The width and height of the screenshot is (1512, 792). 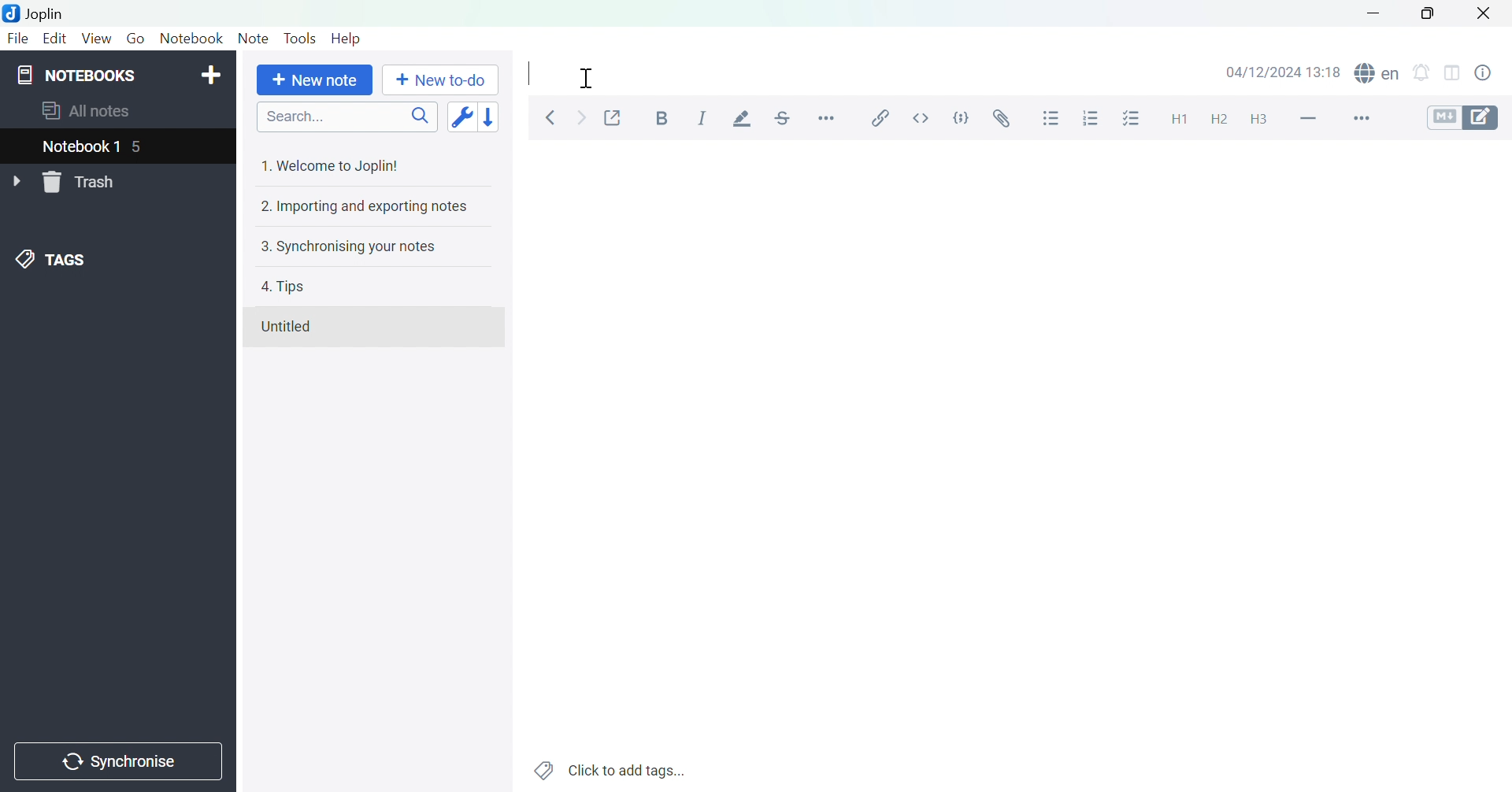 I want to click on Note, so click(x=252, y=39).